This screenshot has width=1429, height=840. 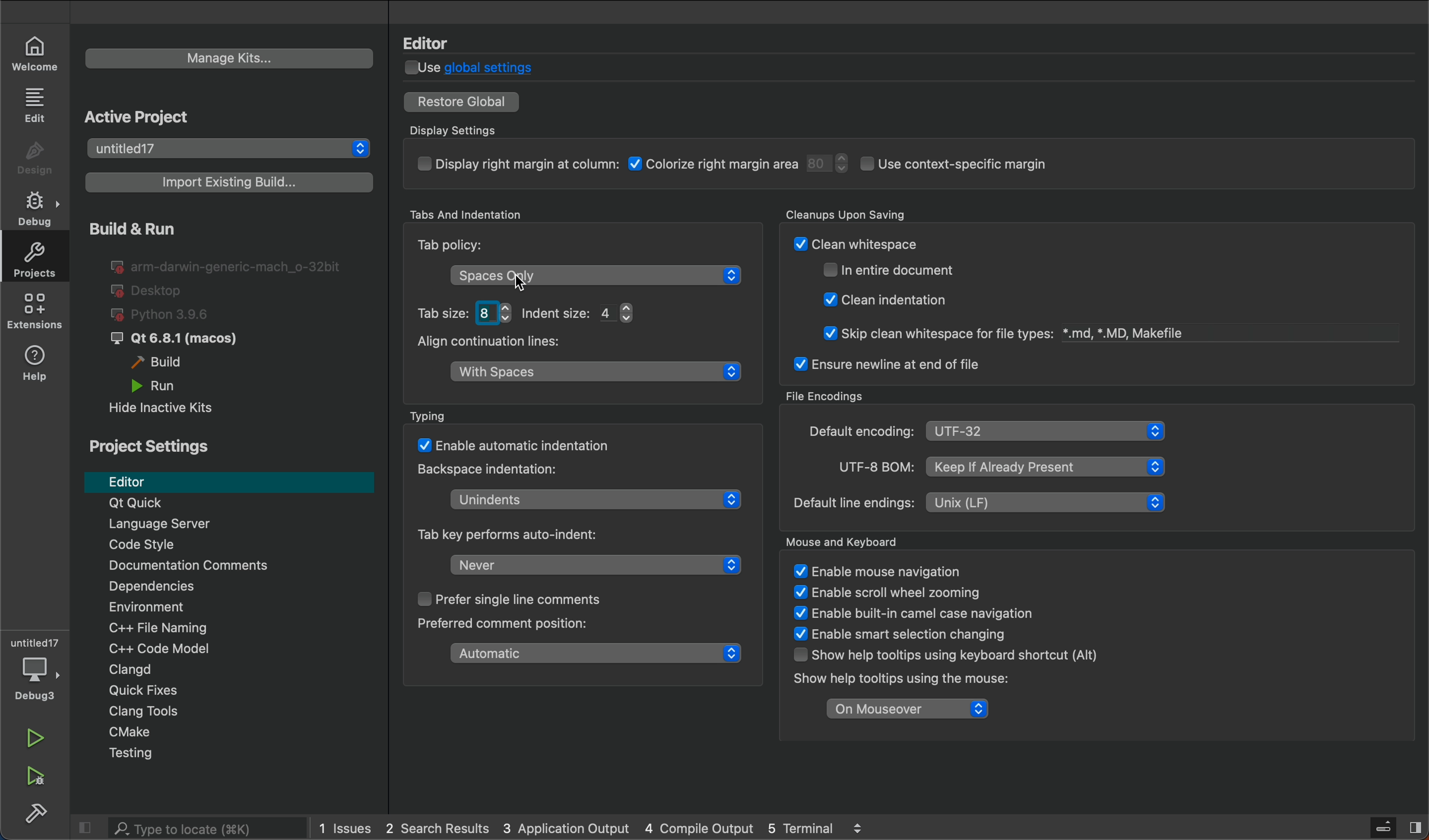 I want to click on Mouse and Keyboard, so click(x=862, y=539).